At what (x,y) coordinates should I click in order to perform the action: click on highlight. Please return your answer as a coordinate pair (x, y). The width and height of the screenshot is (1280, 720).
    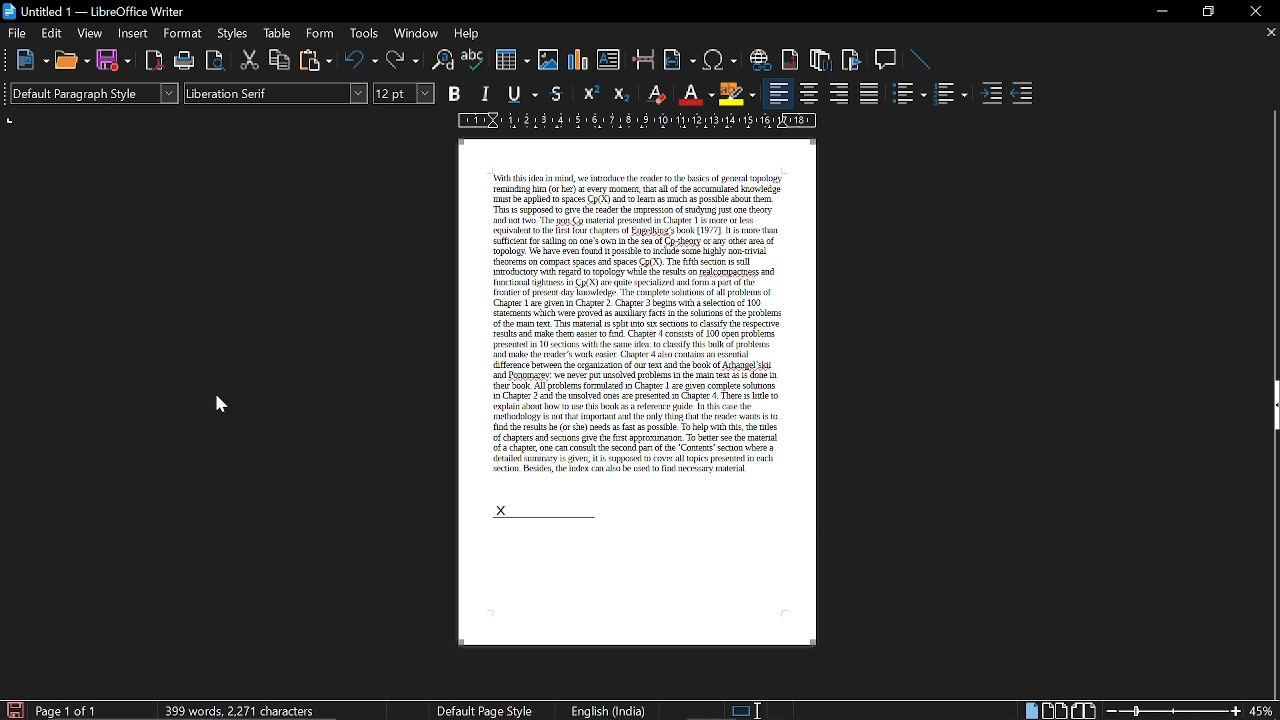
    Looking at the image, I should click on (737, 94).